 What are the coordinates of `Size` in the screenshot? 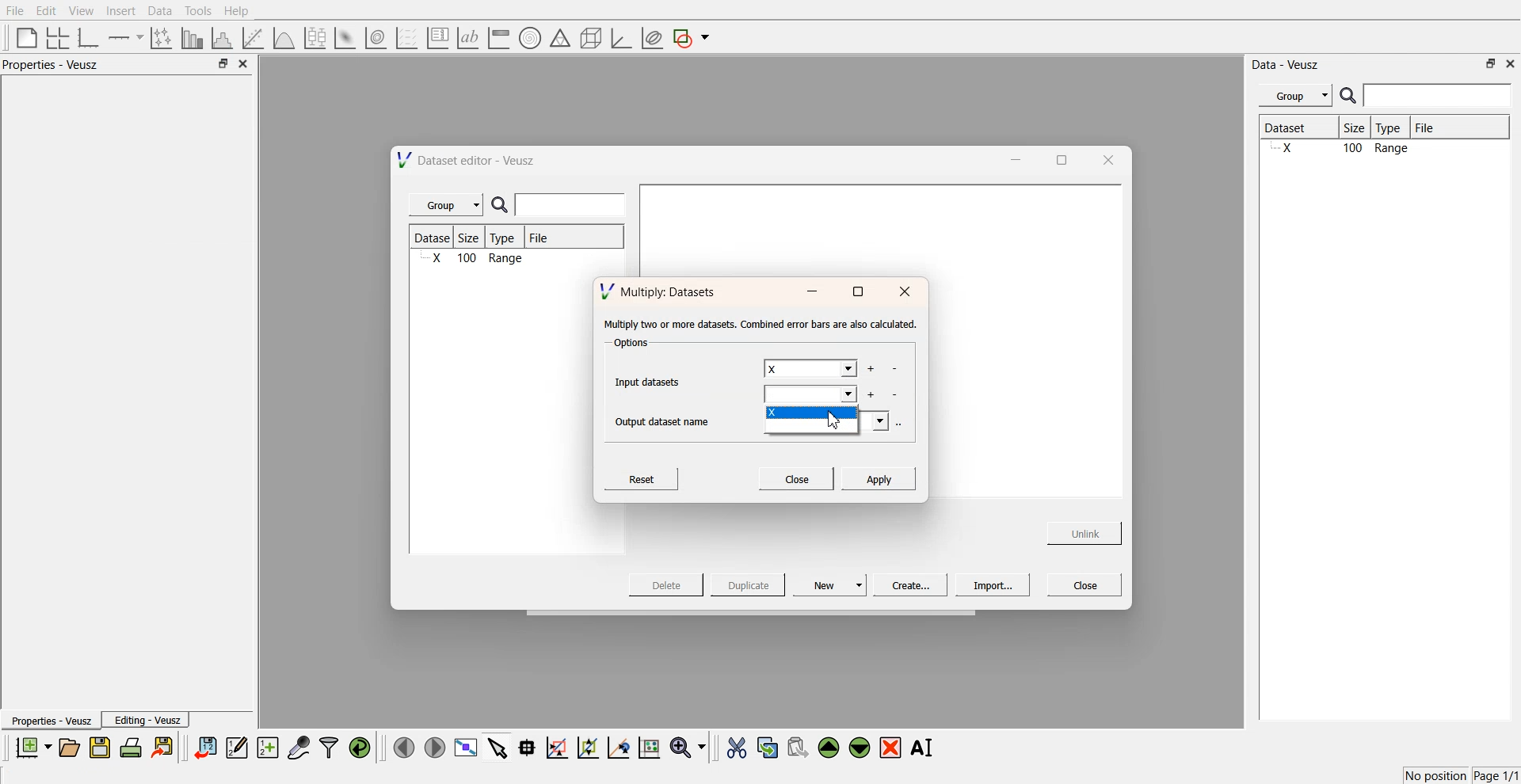 It's located at (1359, 129).